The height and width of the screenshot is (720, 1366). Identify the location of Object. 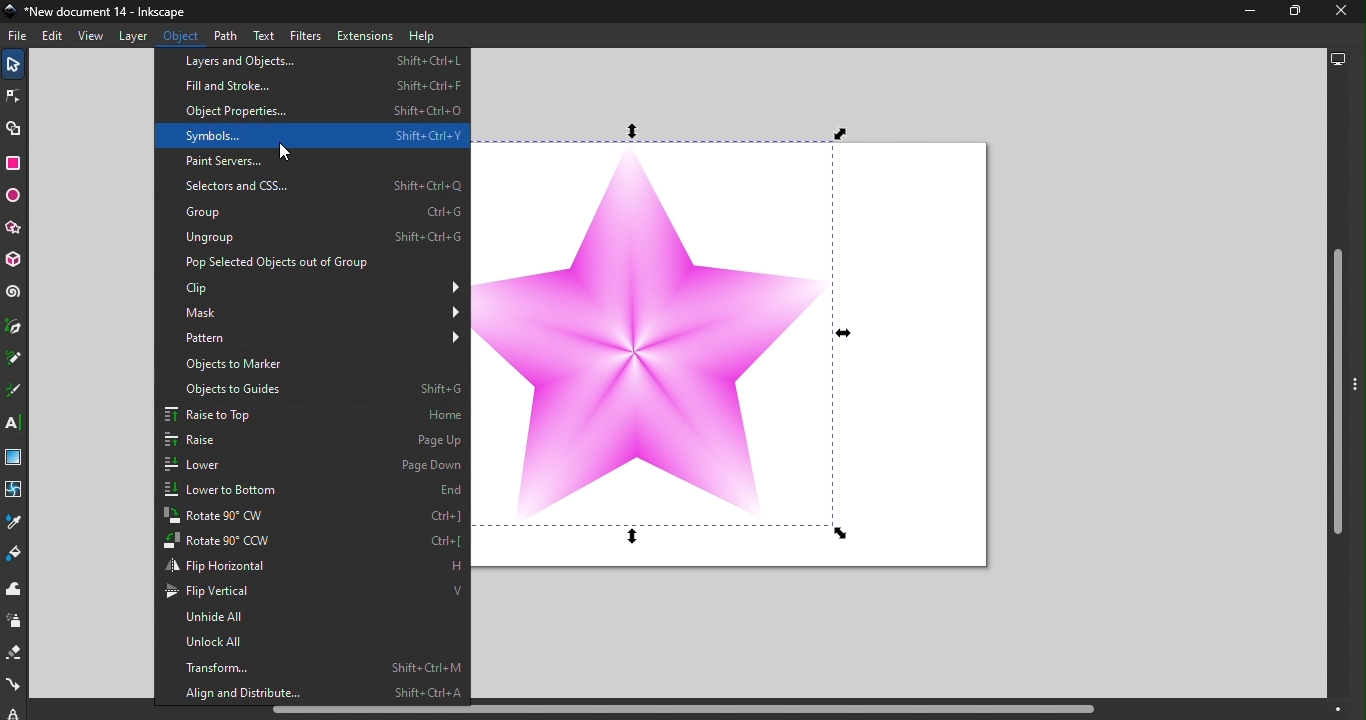
(179, 36).